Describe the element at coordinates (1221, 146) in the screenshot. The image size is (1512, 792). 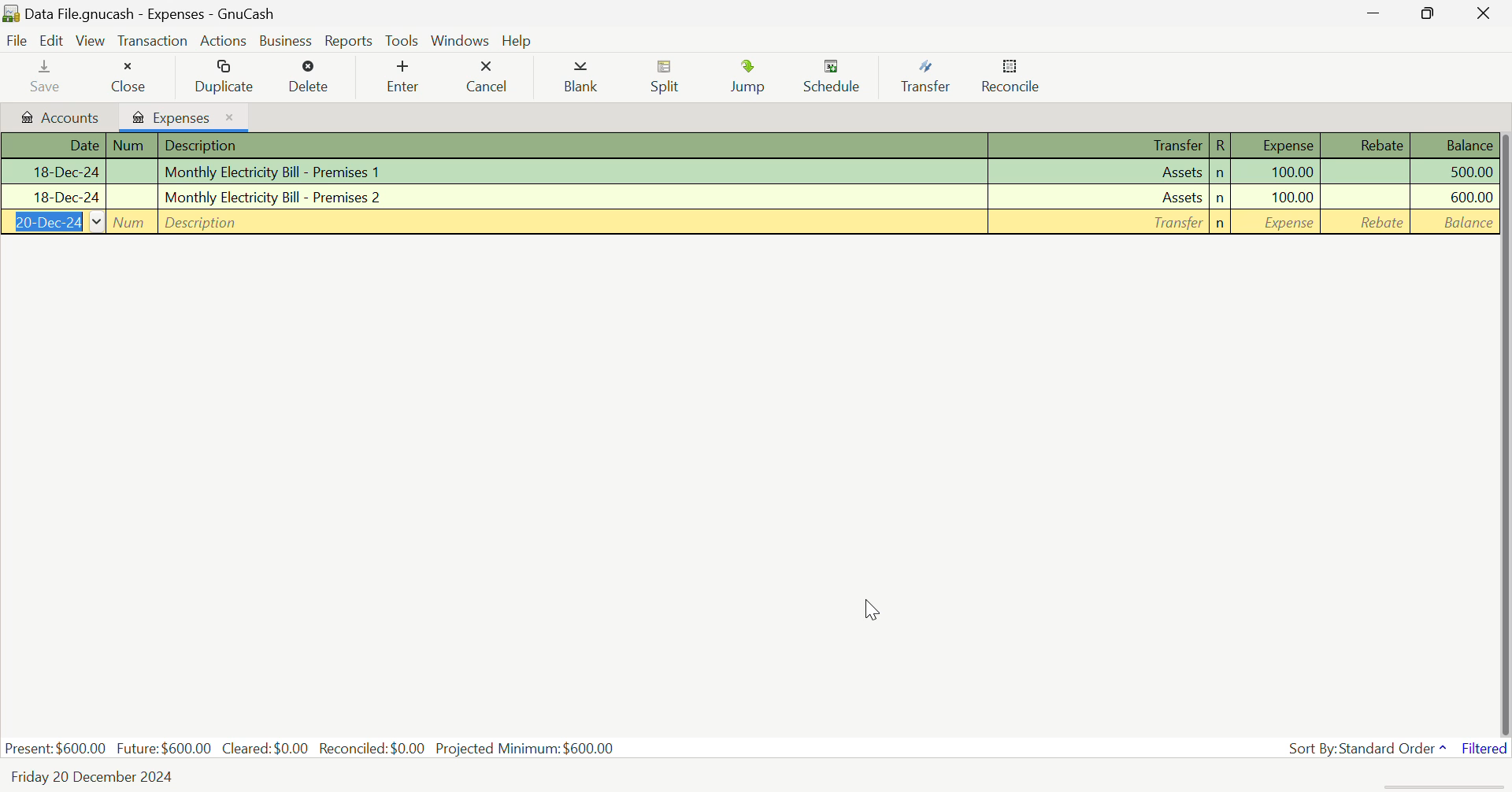
I see `R` at that location.